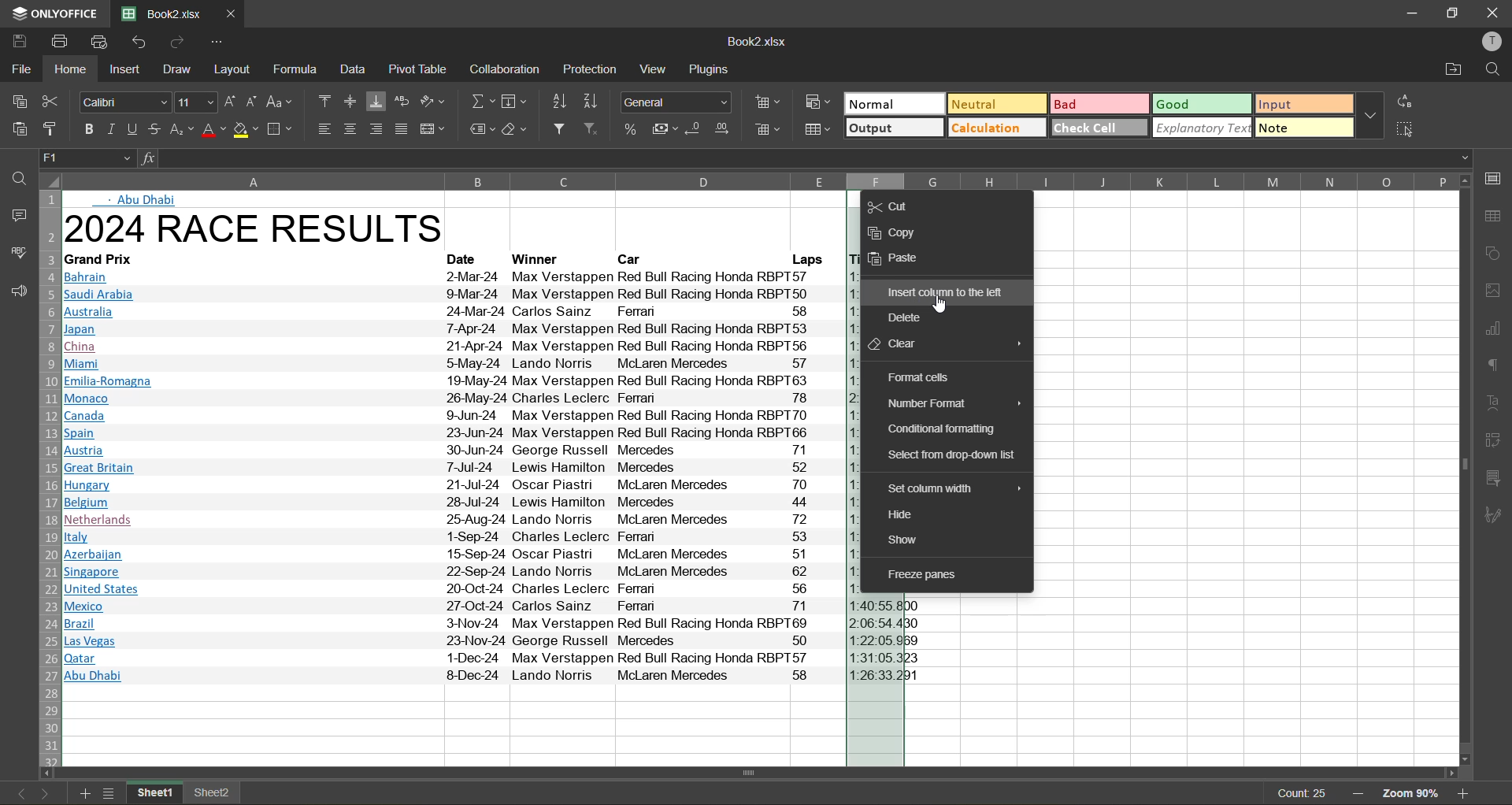 The height and width of the screenshot is (805, 1512). Describe the element at coordinates (894, 102) in the screenshot. I see `normal` at that location.